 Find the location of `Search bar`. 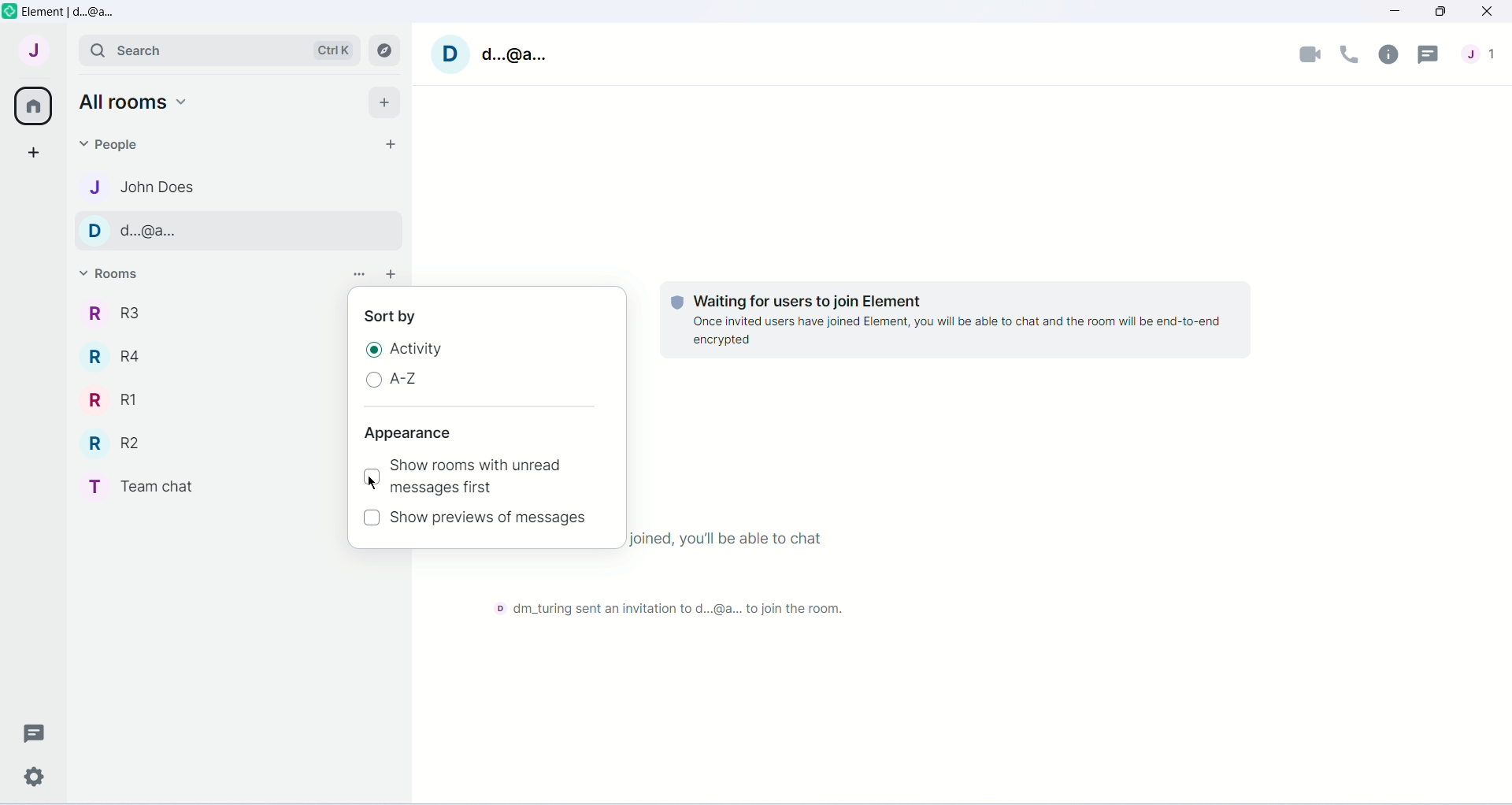

Search bar is located at coordinates (219, 50).